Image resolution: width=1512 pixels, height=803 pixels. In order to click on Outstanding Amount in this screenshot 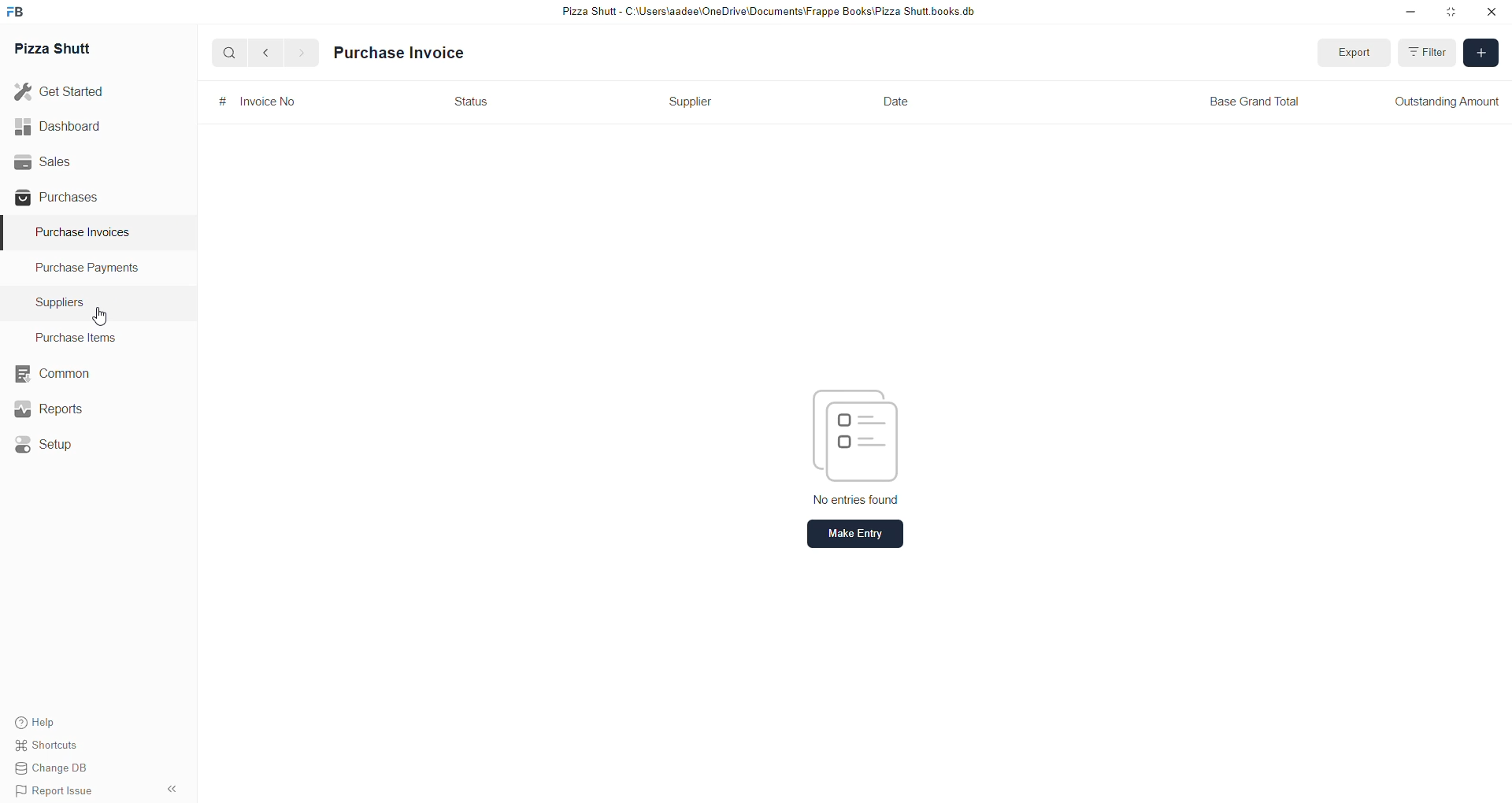, I will do `click(1447, 101)`.